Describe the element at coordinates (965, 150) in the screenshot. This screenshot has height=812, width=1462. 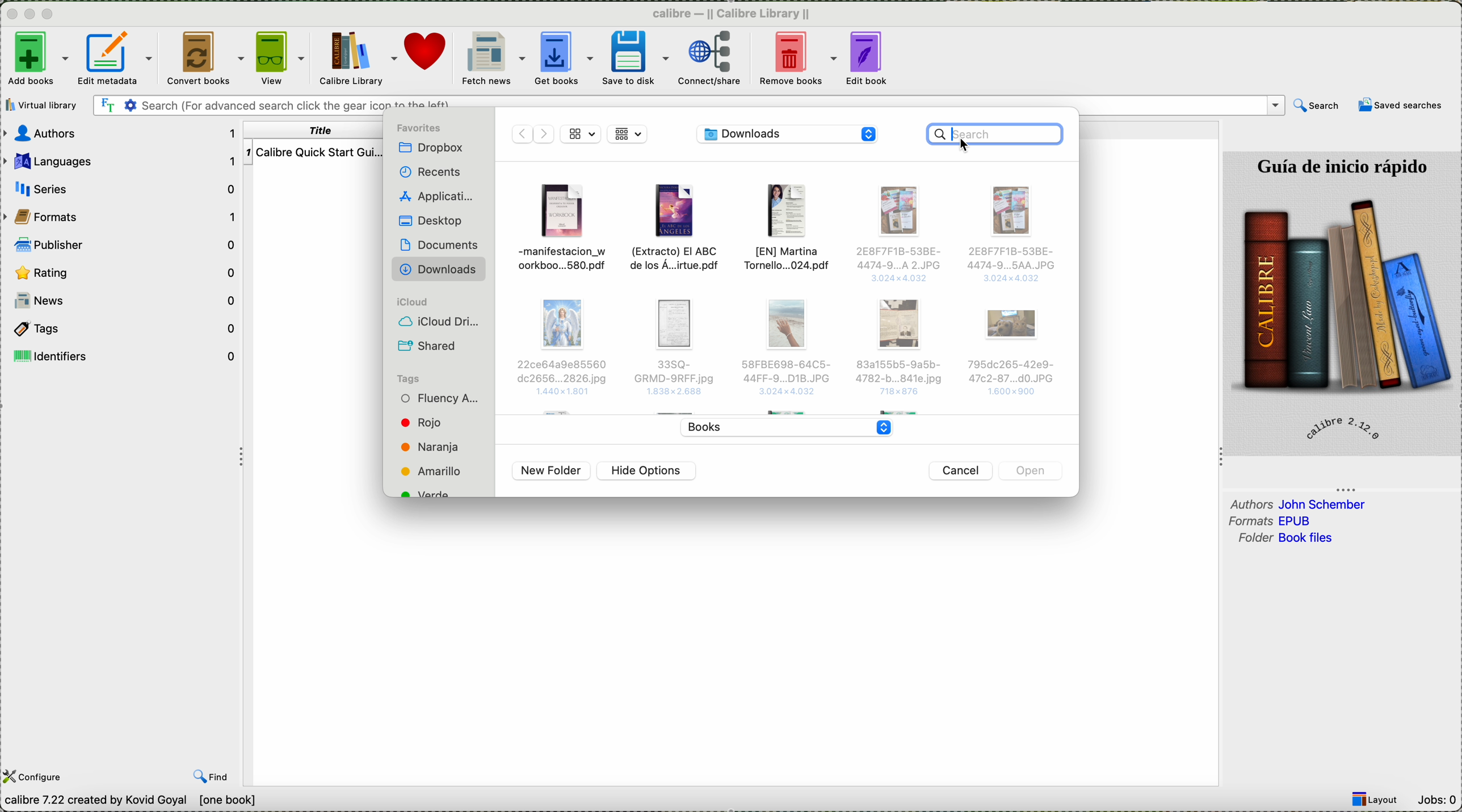
I see `cursor` at that location.